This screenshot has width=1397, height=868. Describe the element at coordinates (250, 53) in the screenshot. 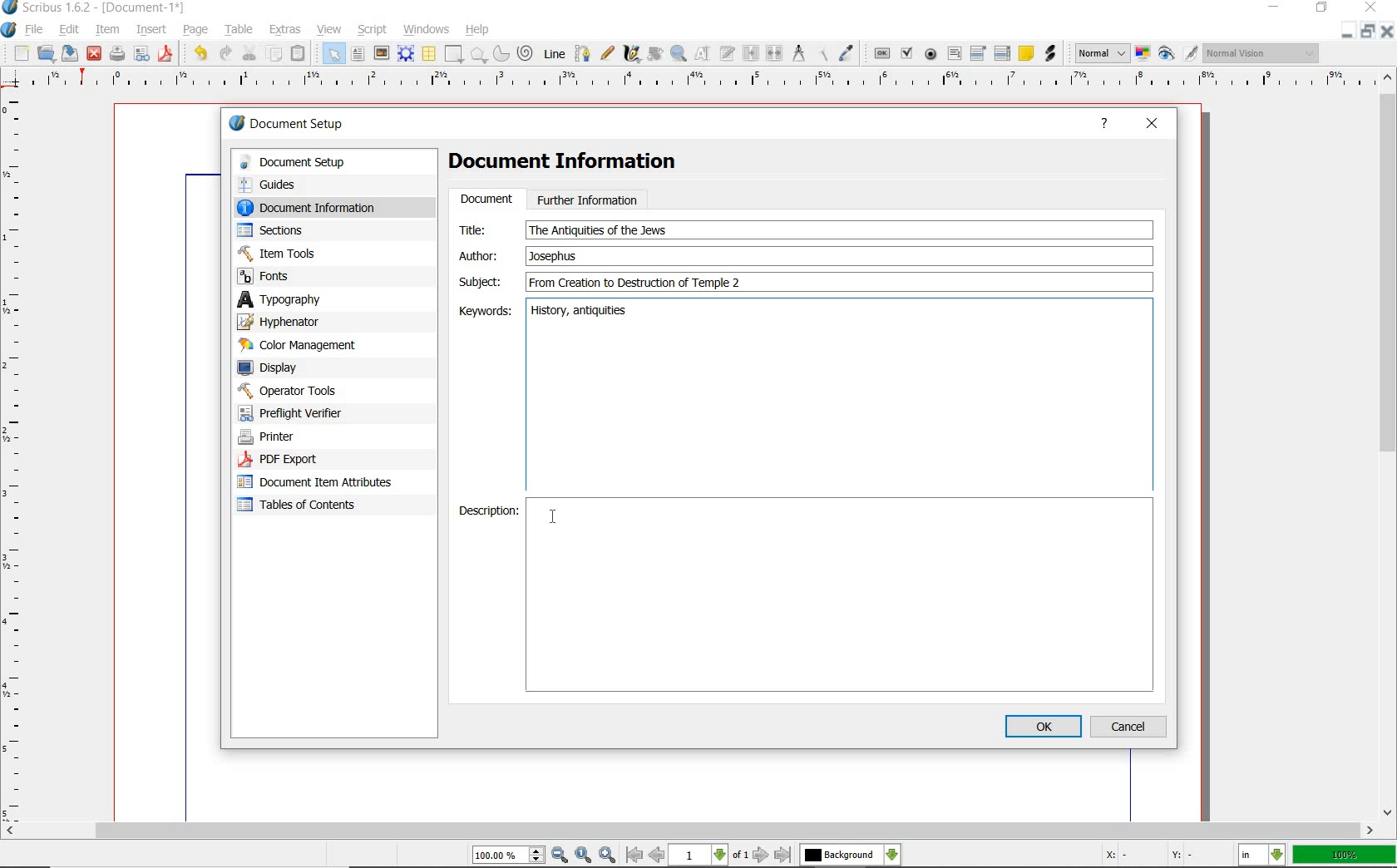

I see `cut` at that location.